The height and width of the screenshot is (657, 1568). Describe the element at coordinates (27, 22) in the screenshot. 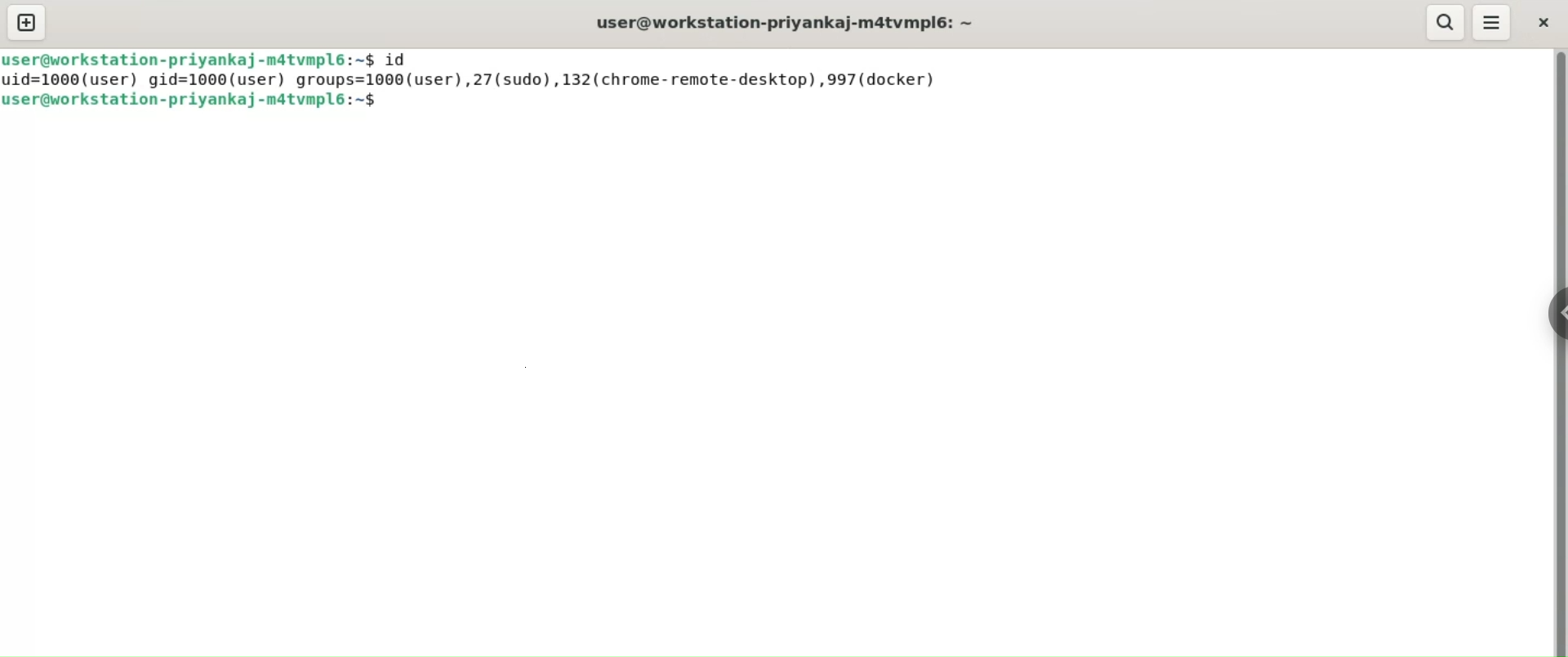

I see `new tab` at that location.